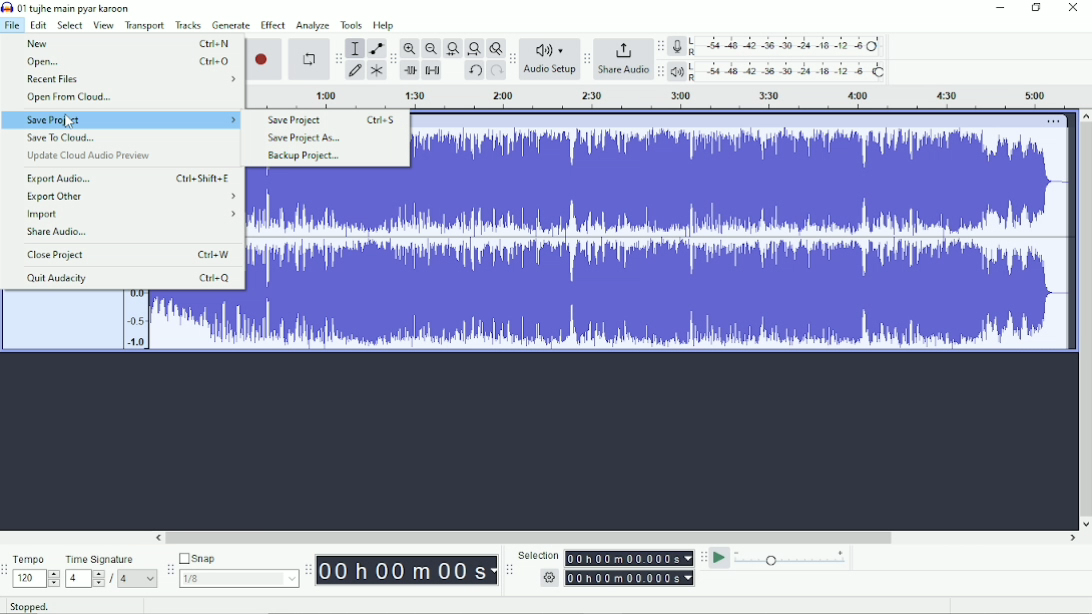 This screenshot has height=614, width=1092. I want to click on Save To Cloud, so click(65, 138).